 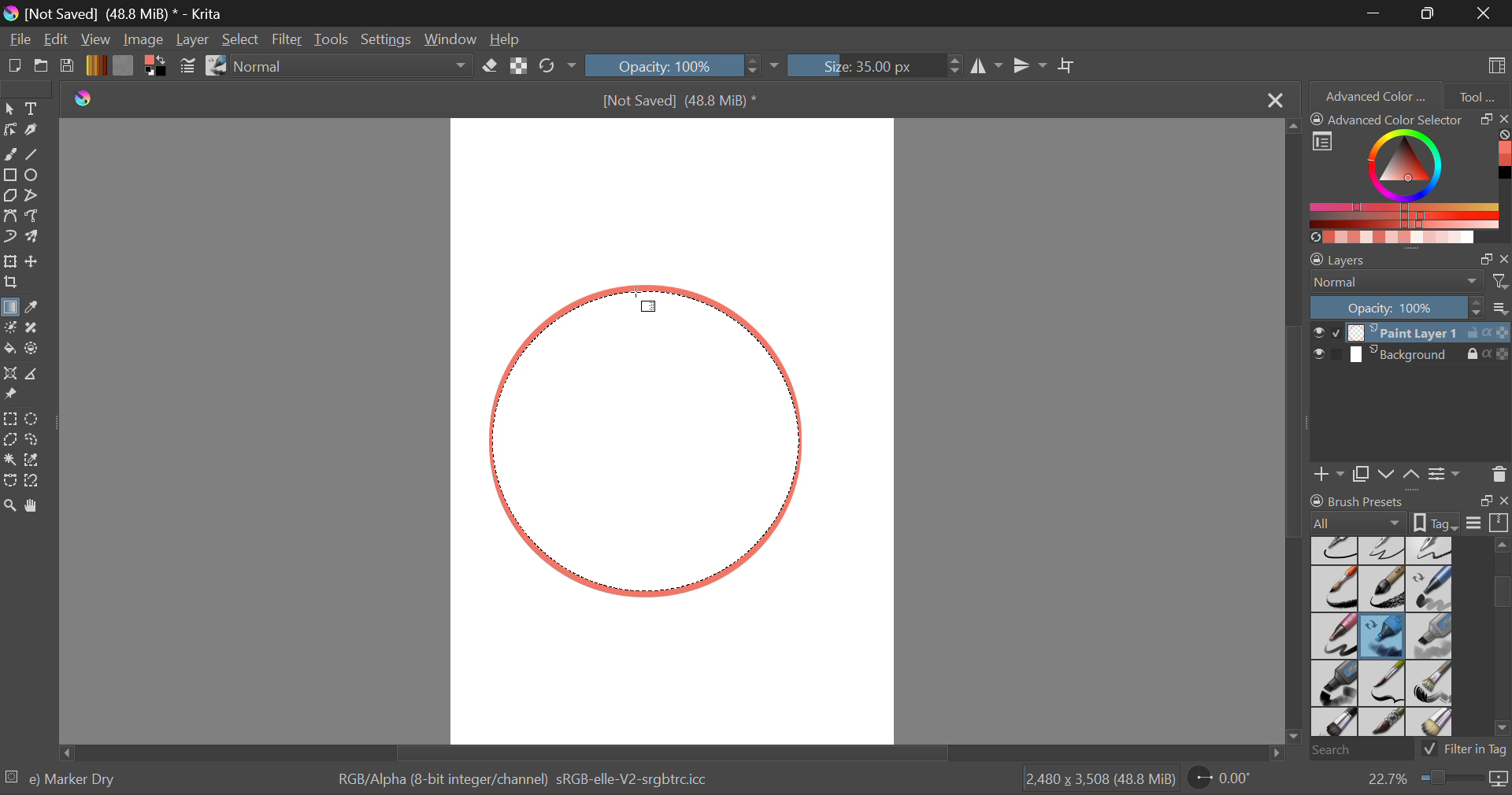 I want to click on Dynamic Brush Tool, so click(x=9, y=238).